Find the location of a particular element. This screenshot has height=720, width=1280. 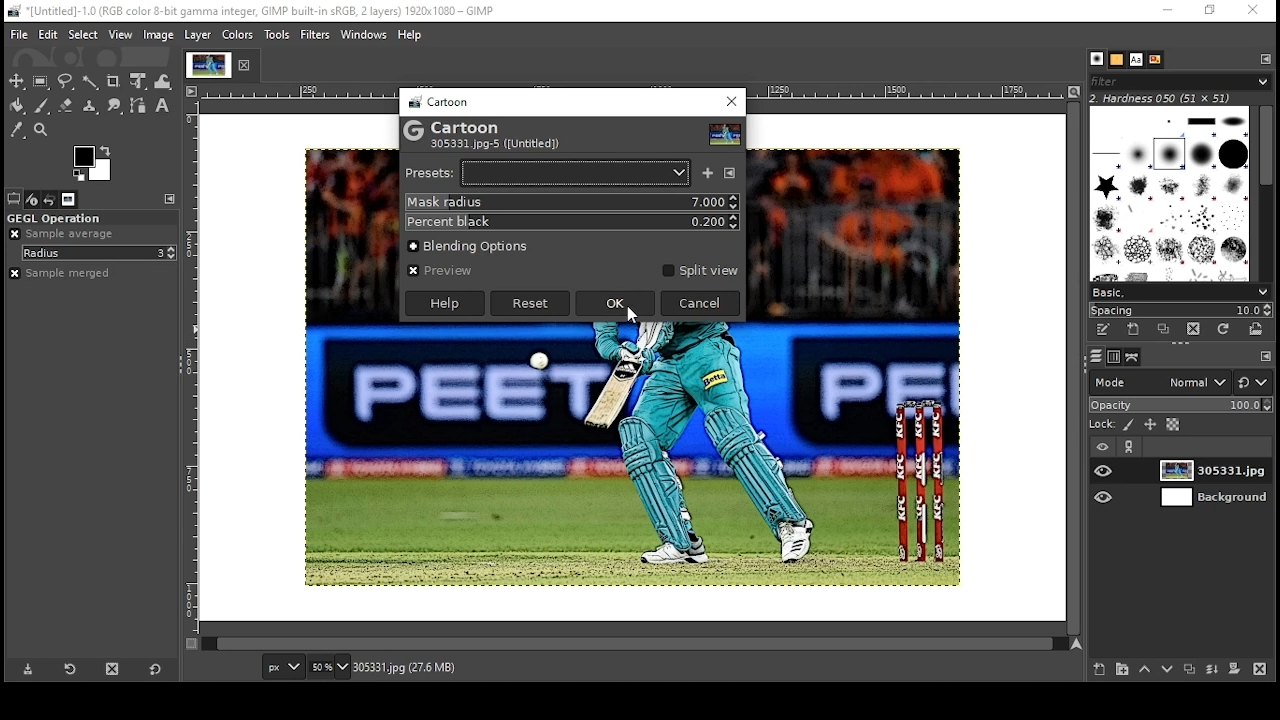

minimize is located at coordinates (1168, 10).